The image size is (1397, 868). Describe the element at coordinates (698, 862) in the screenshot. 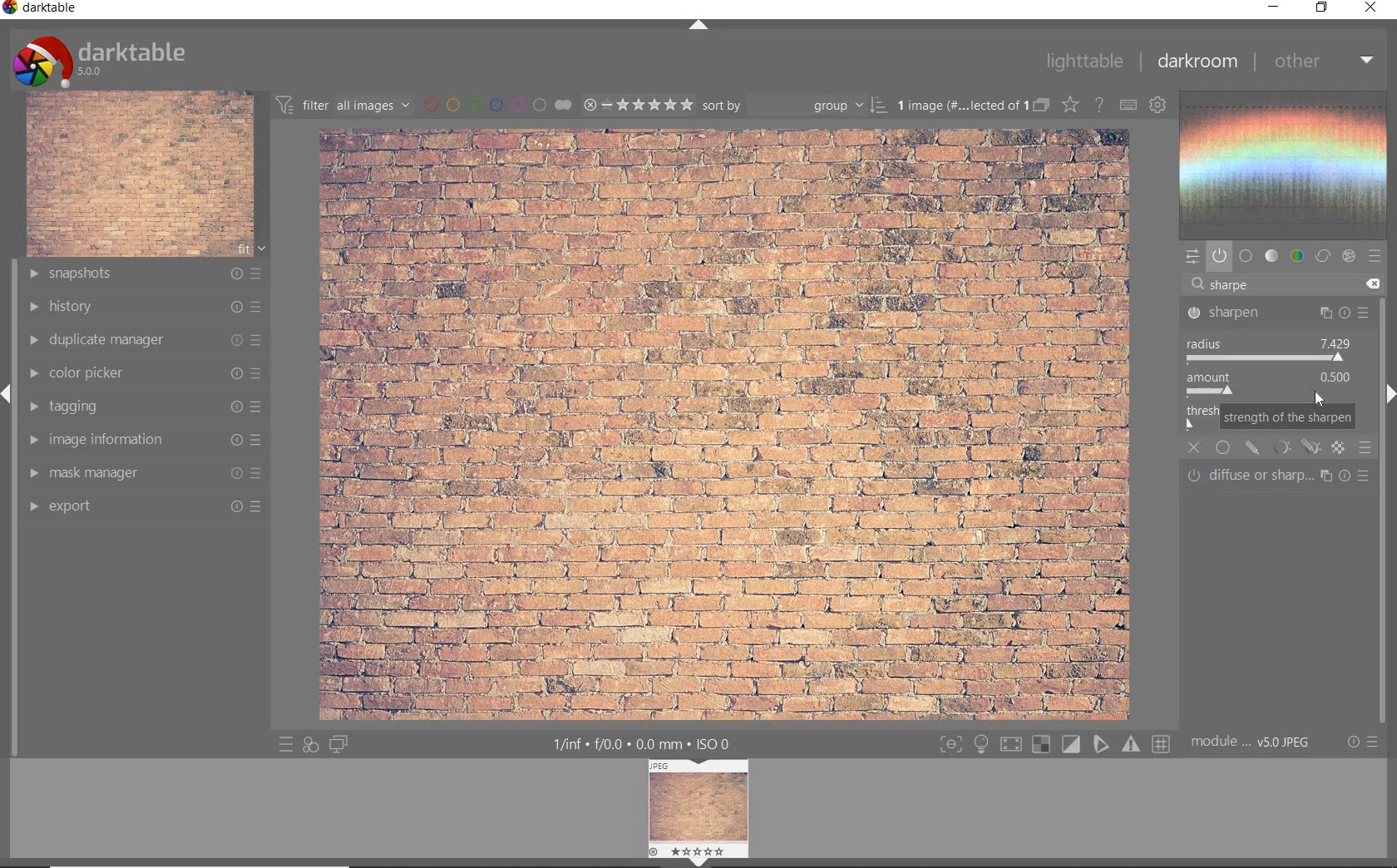

I see `down` at that location.